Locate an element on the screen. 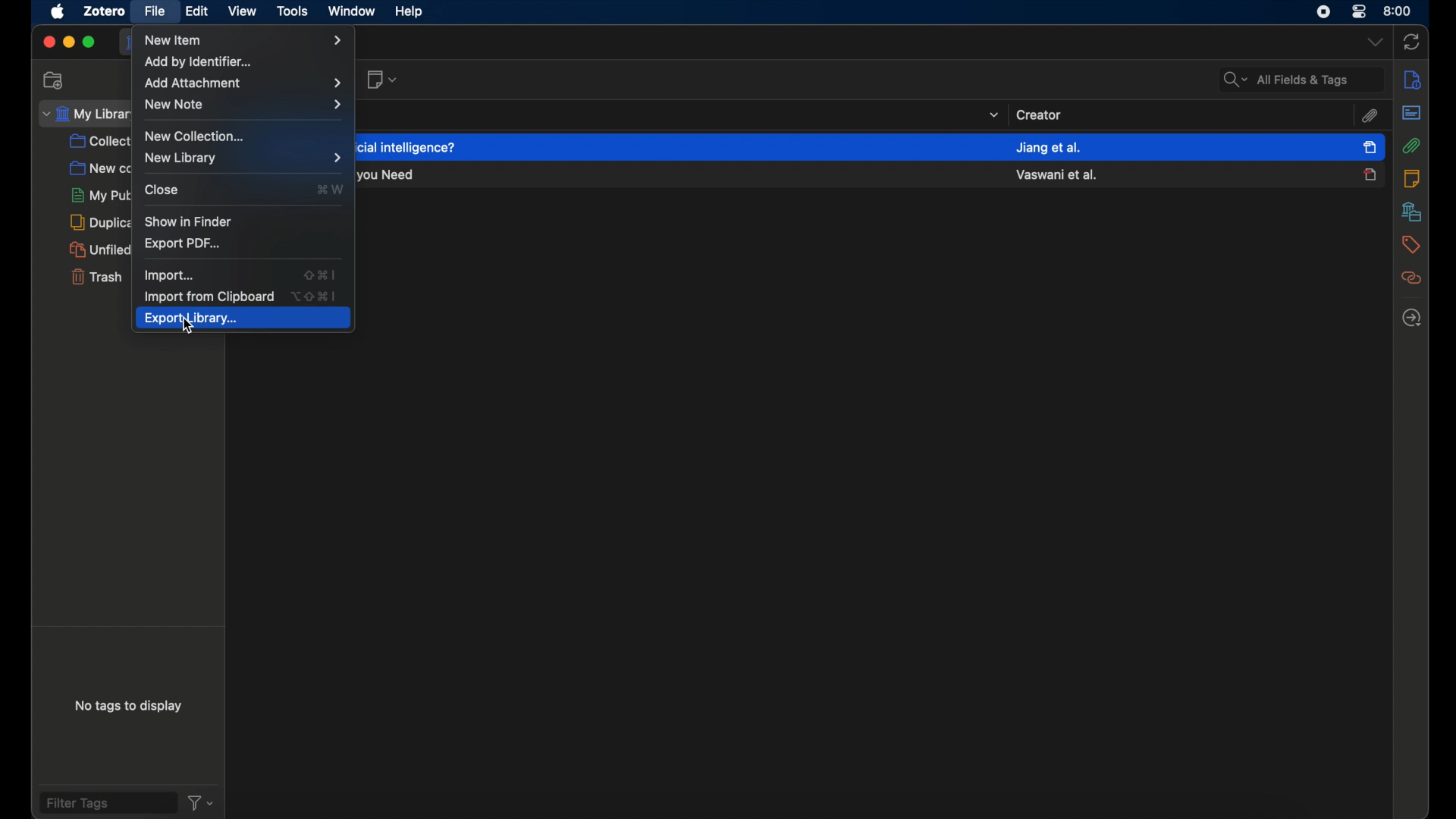 Image resolution: width=1456 pixels, height=819 pixels. my library dropdown  is located at coordinates (83, 113).